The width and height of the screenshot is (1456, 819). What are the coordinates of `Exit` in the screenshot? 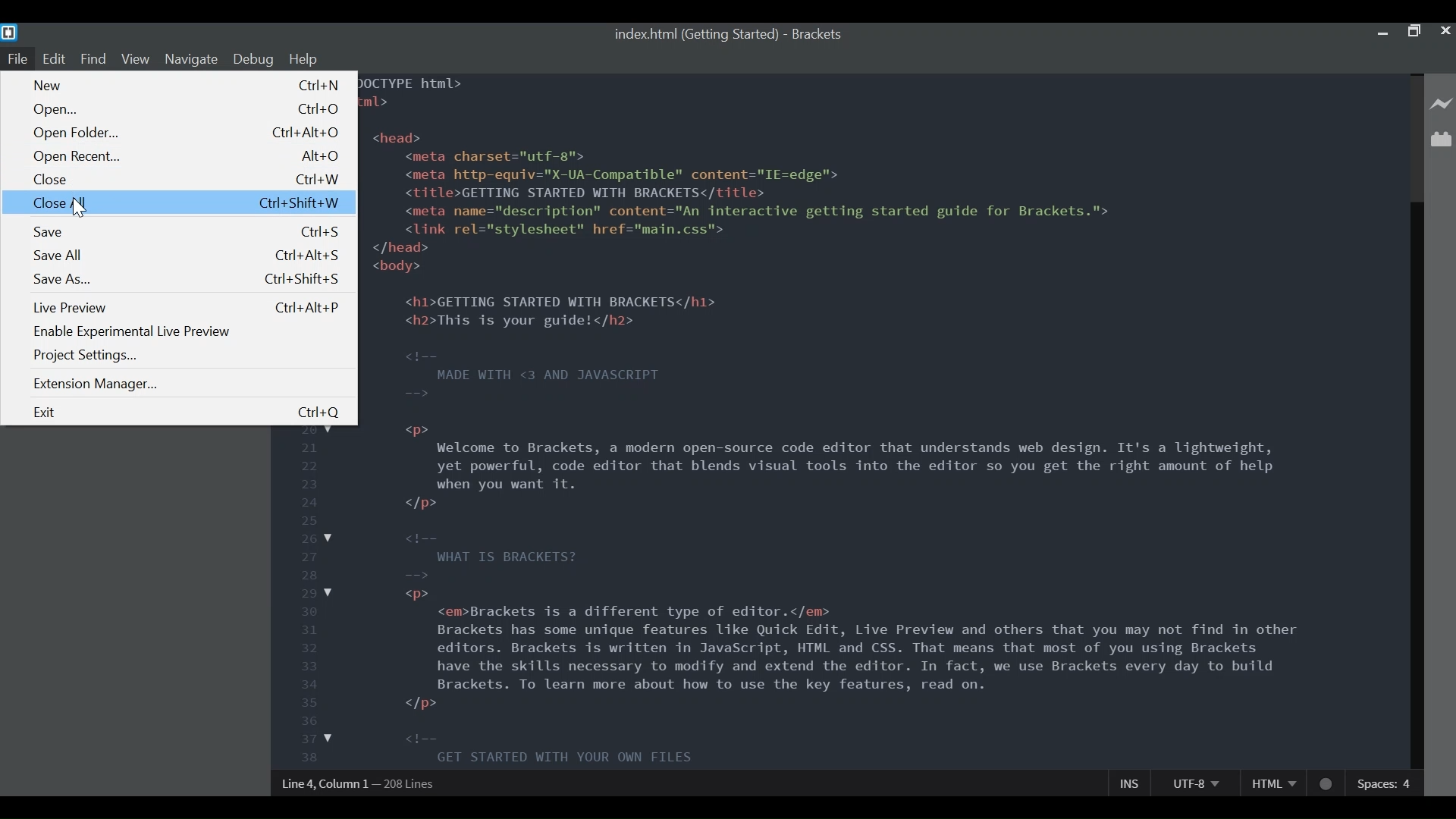 It's located at (185, 413).